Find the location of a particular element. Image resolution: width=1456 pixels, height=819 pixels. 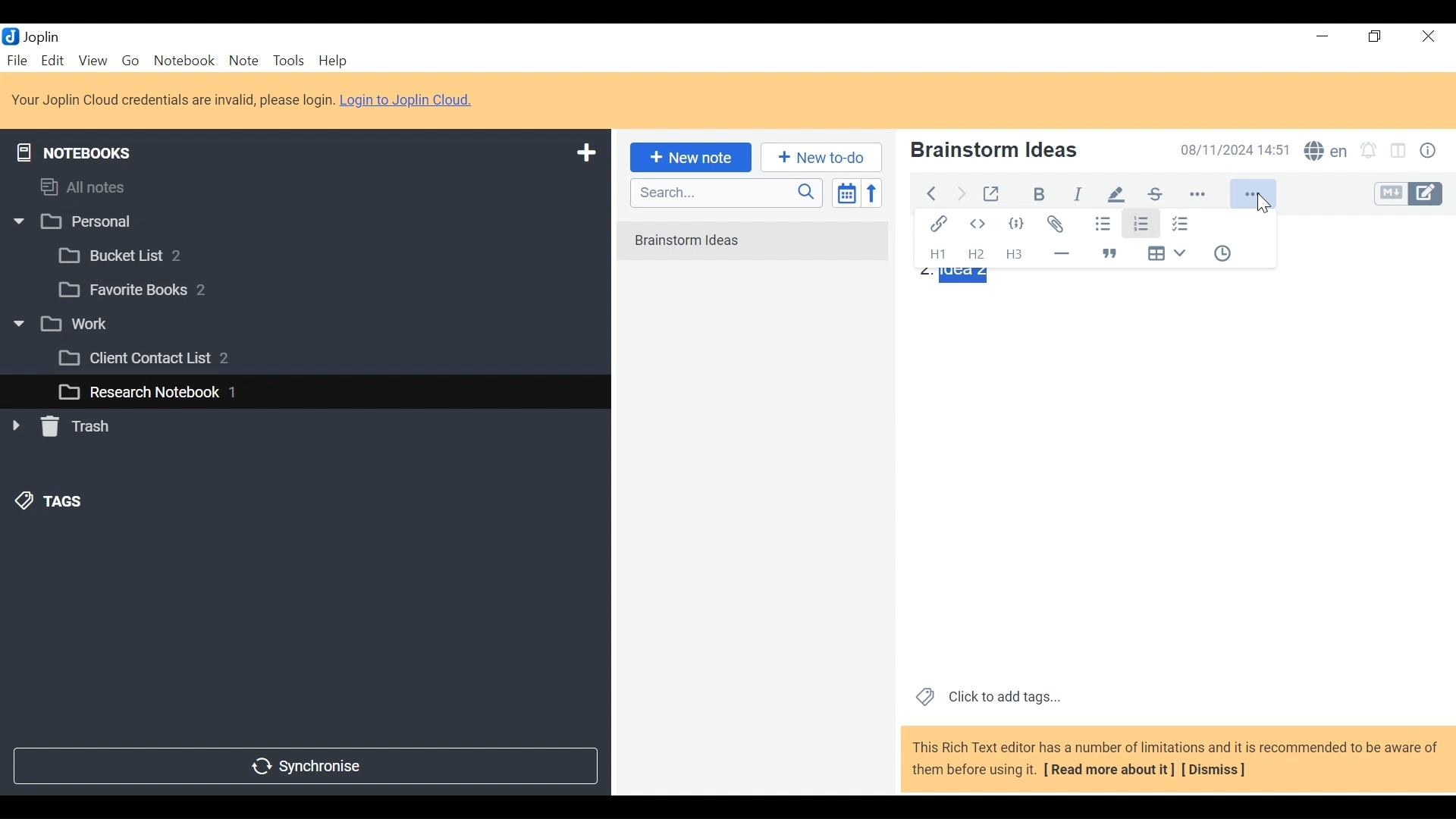

File is located at coordinates (19, 60).